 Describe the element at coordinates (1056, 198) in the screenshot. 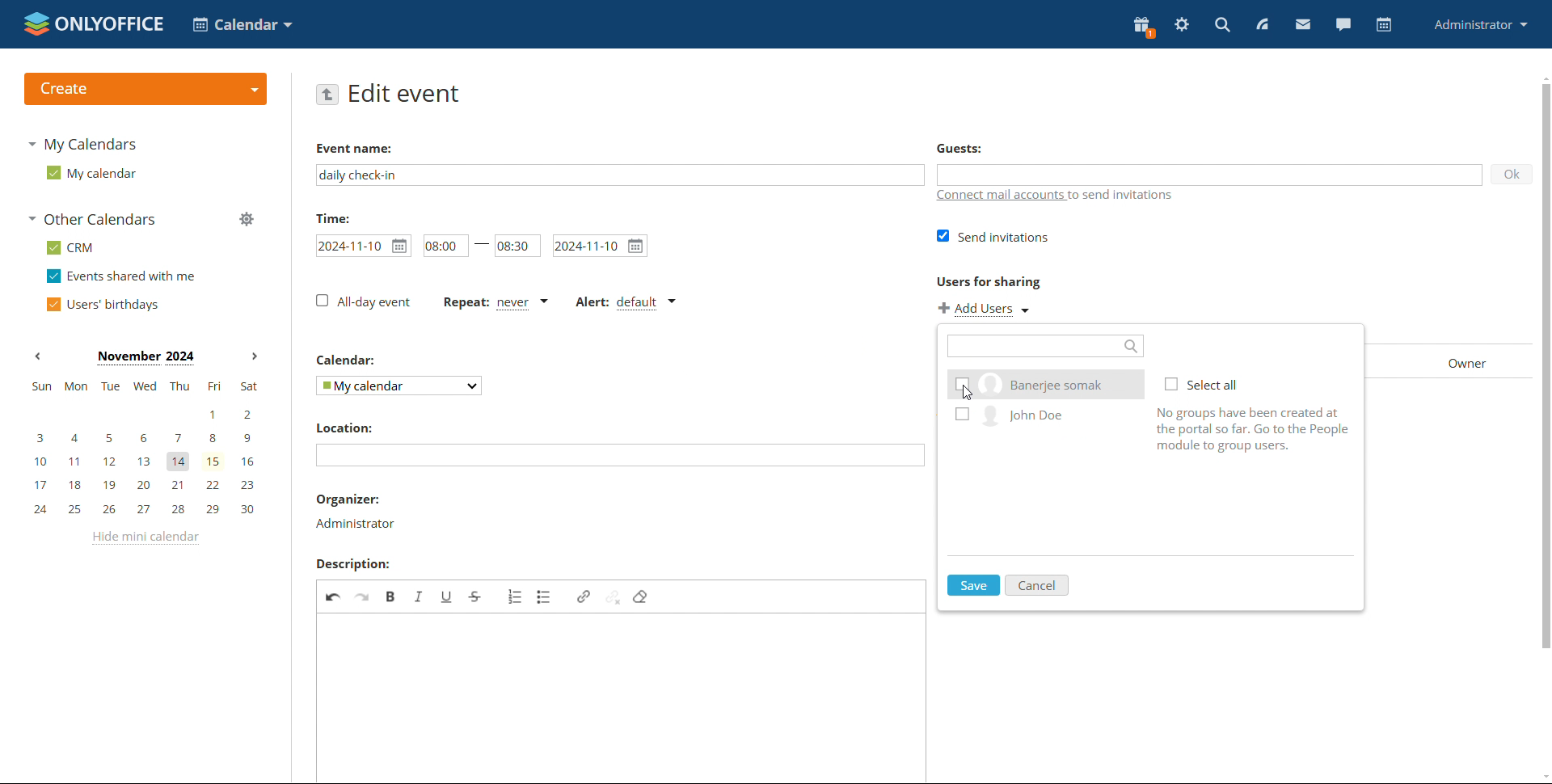

I see `connect mail accounts` at that location.